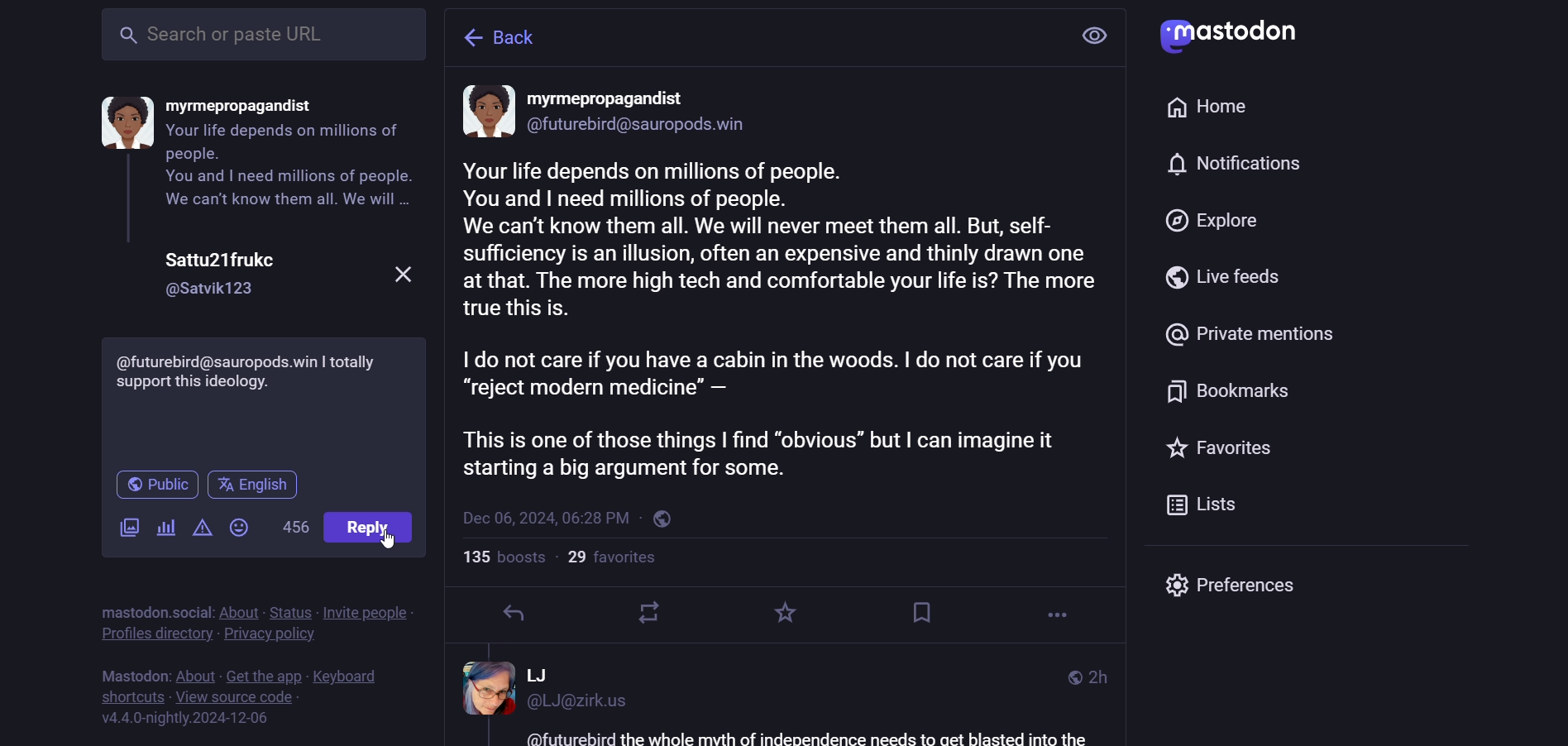 The height and width of the screenshot is (746, 1568). What do you see at coordinates (152, 611) in the screenshot?
I see `mastodon social` at bounding box center [152, 611].